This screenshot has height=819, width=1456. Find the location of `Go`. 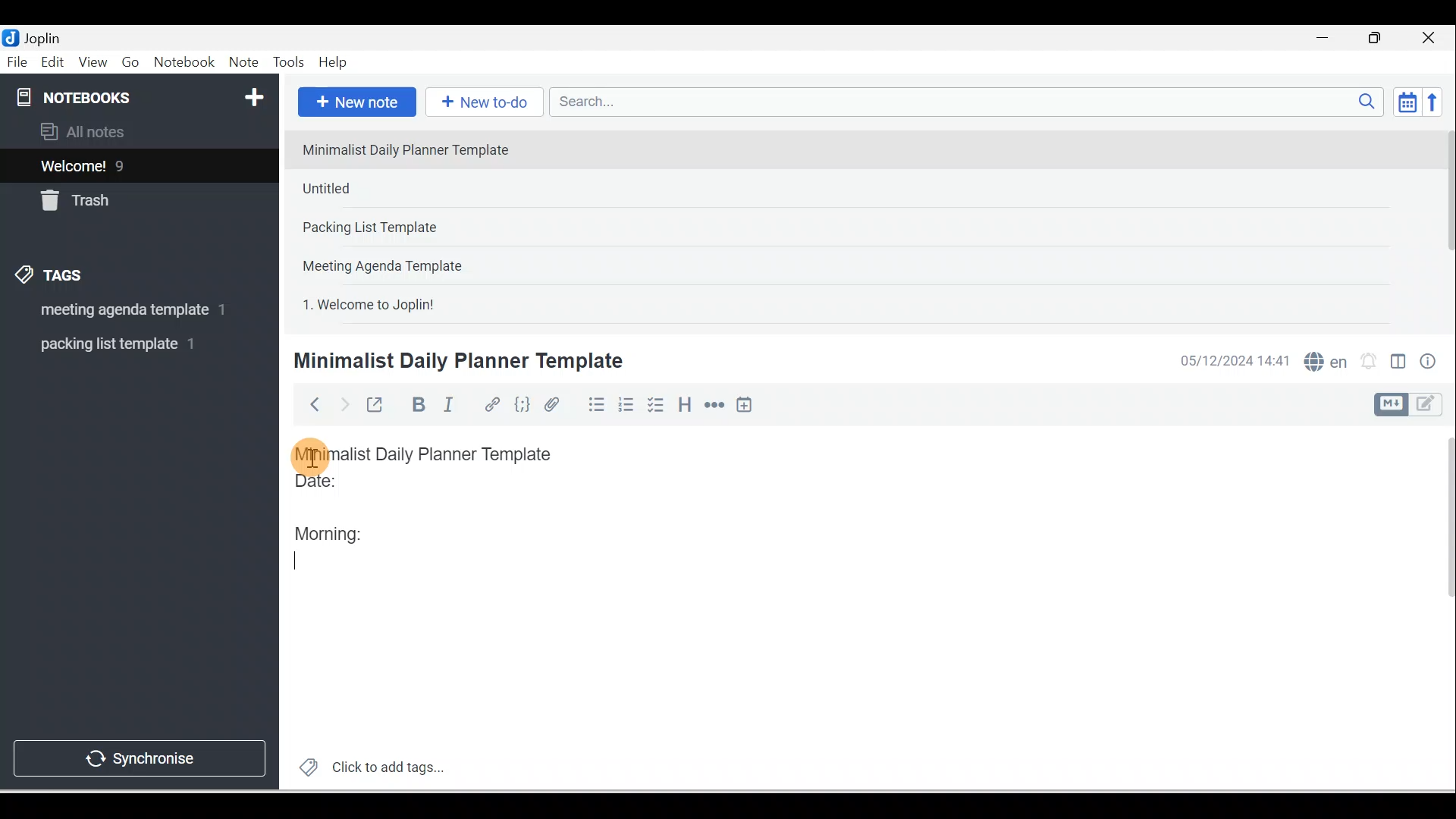

Go is located at coordinates (133, 63).